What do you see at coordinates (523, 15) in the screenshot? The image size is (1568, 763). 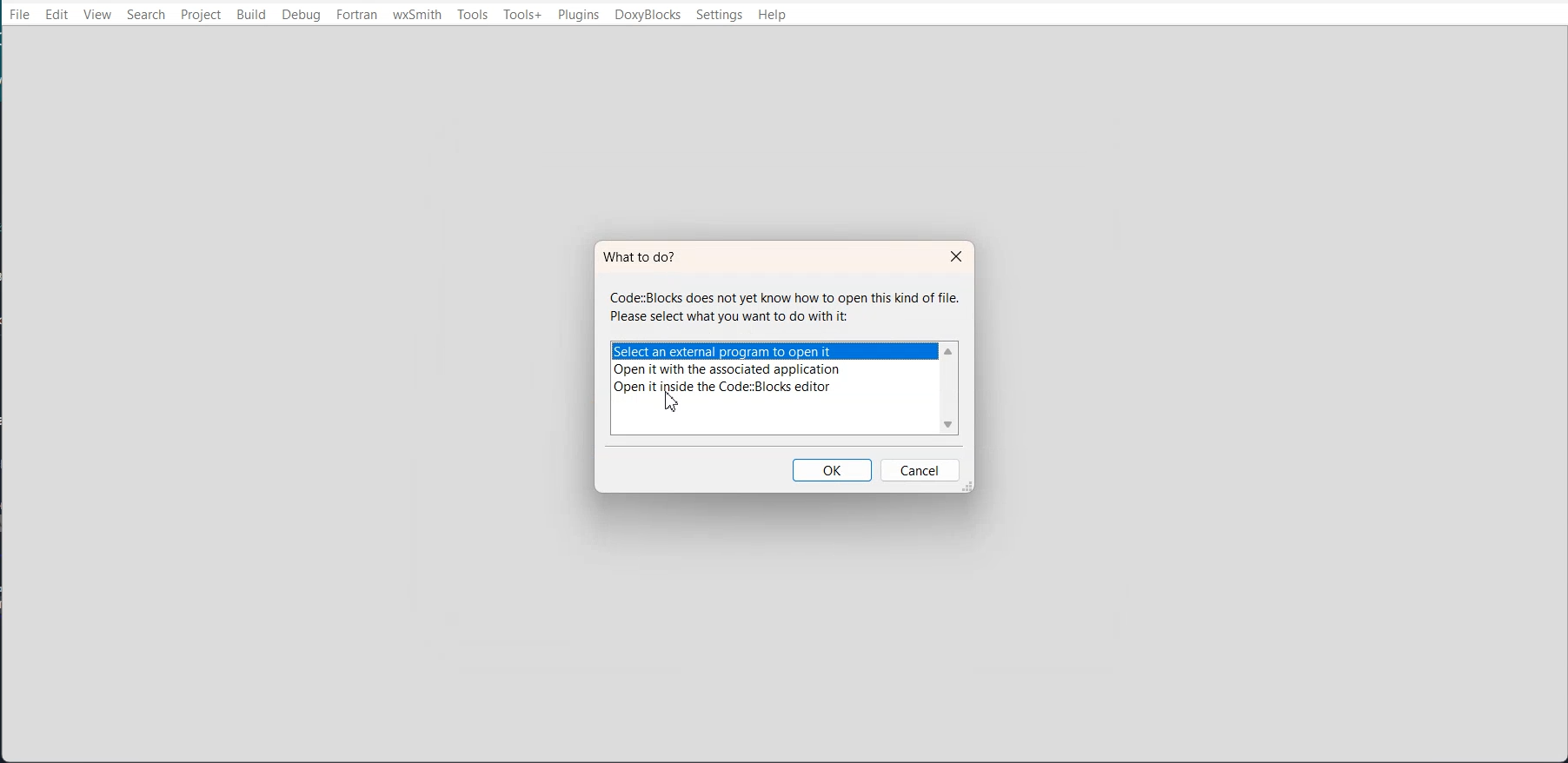 I see `Tools+` at bounding box center [523, 15].